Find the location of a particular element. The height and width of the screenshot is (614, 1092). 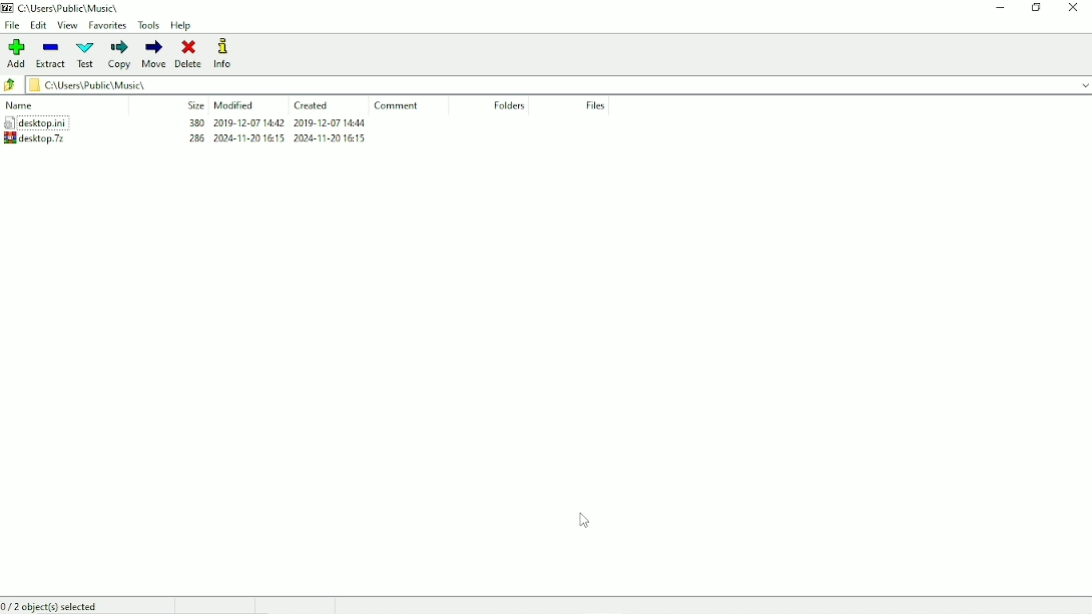

Modified is located at coordinates (234, 105).